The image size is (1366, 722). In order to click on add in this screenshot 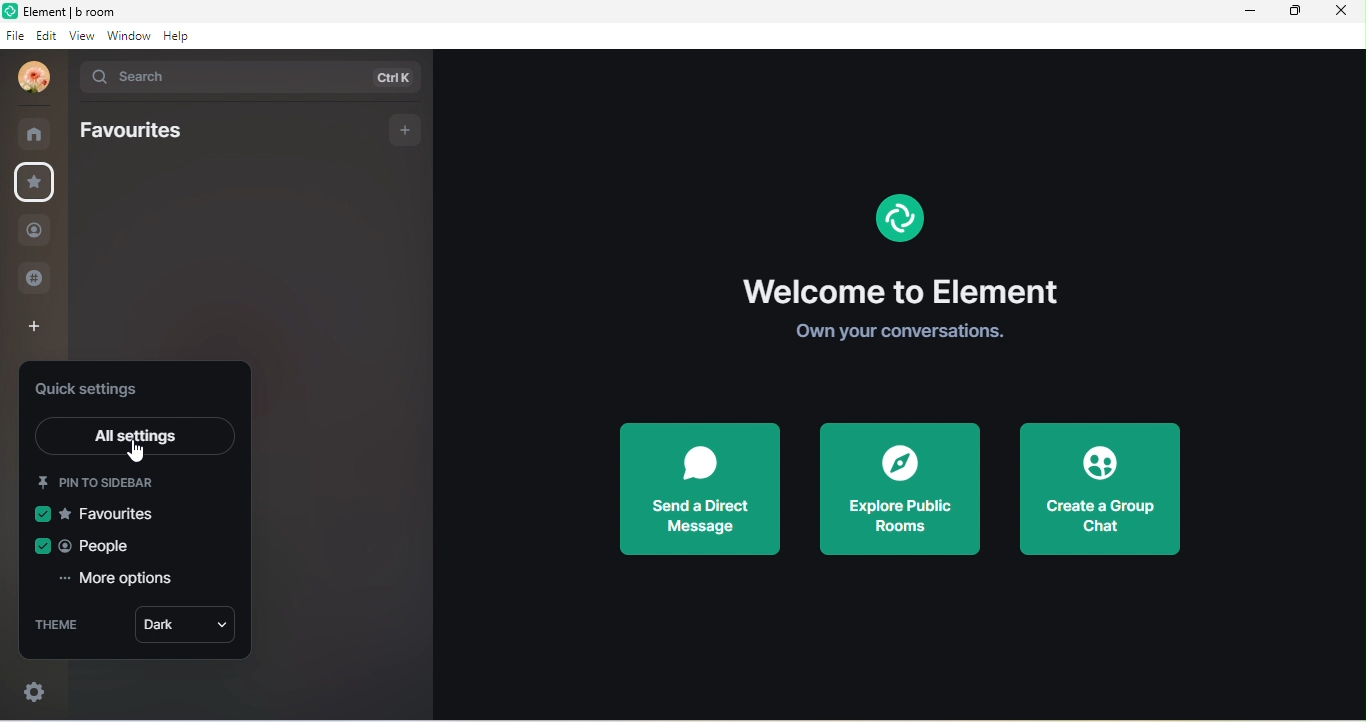, I will do `click(405, 131)`.